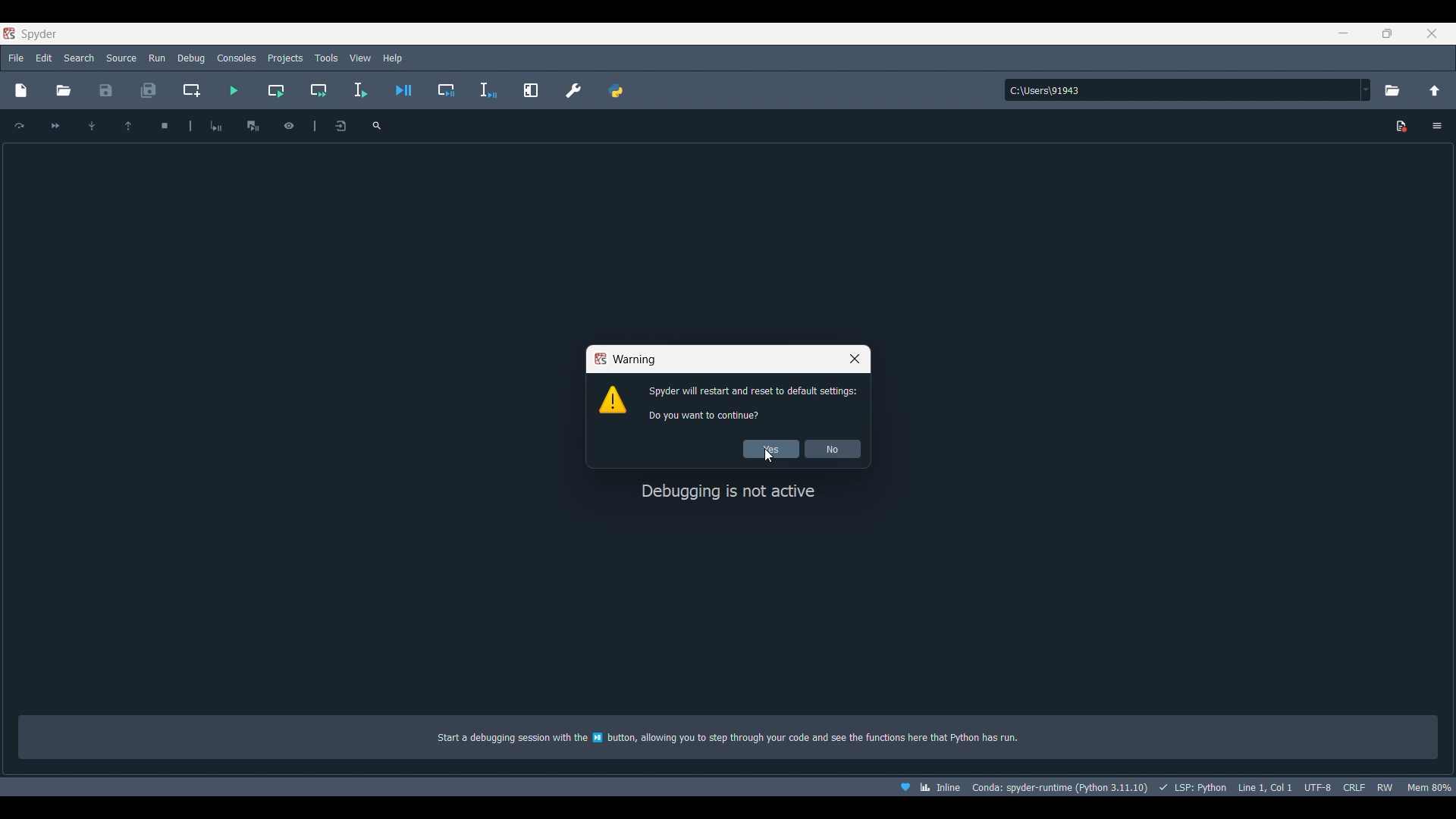  I want to click on next, so click(217, 125).